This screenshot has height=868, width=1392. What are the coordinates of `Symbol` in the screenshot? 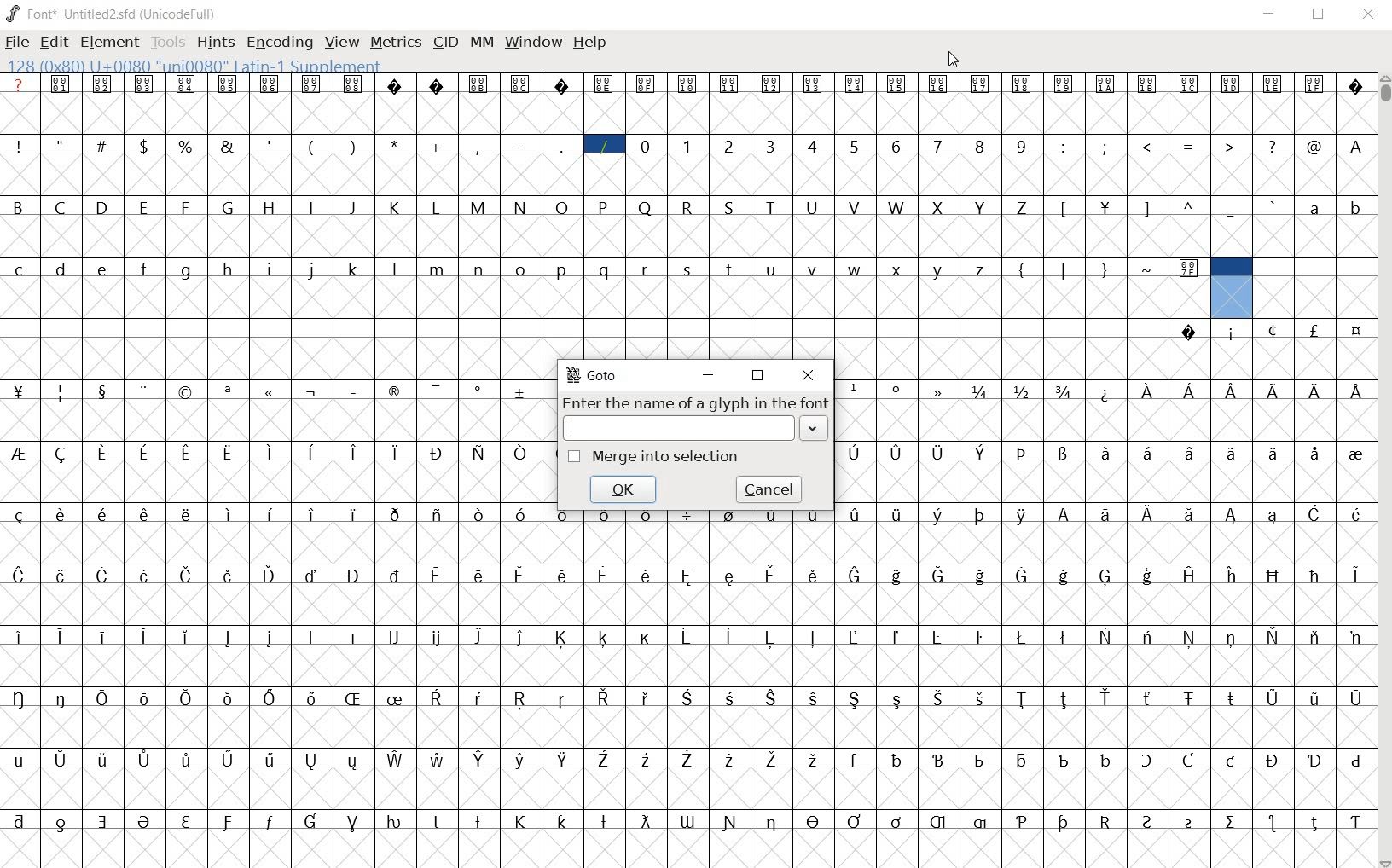 It's located at (1105, 636).